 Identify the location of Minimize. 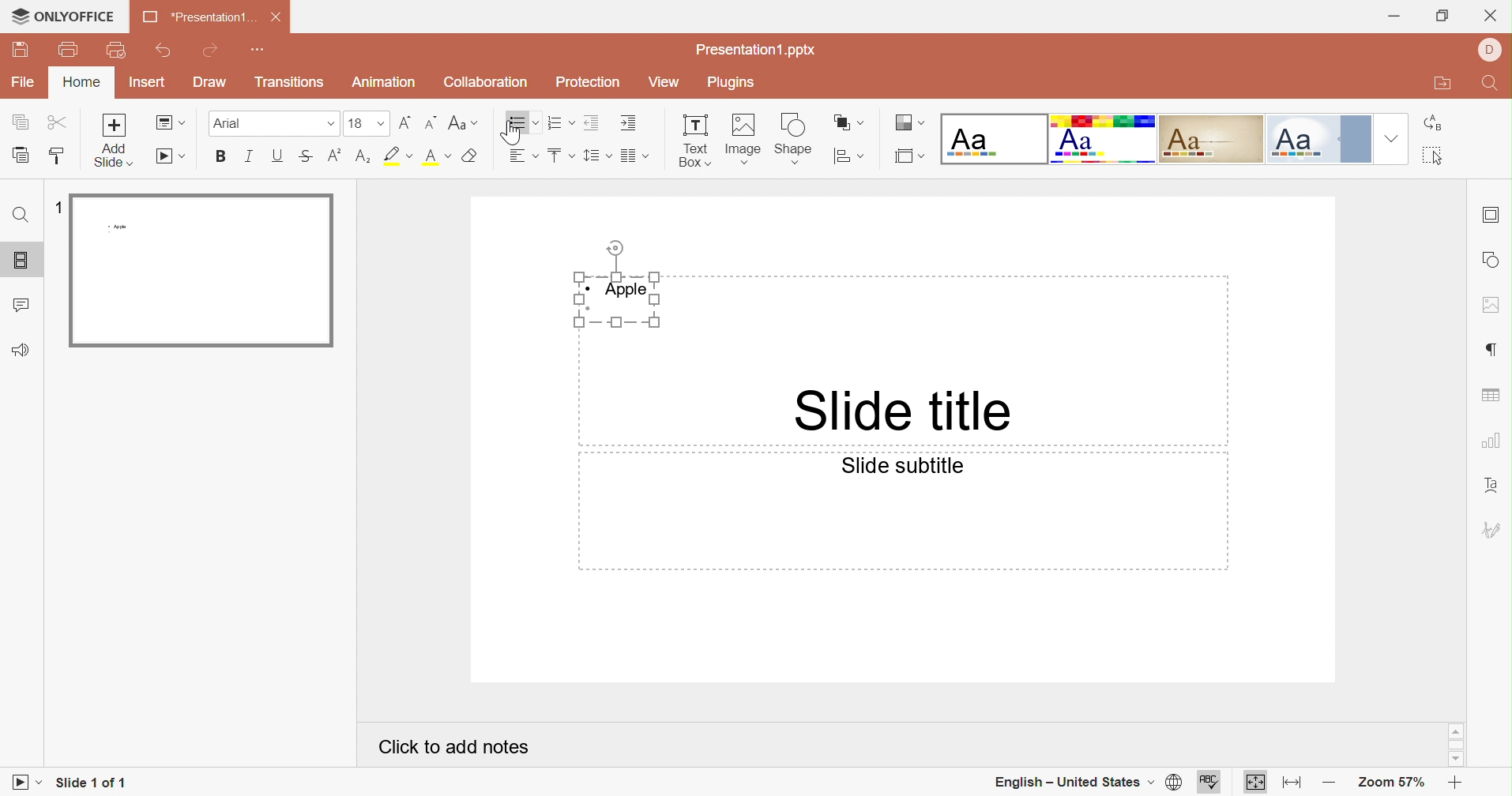
(1399, 13).